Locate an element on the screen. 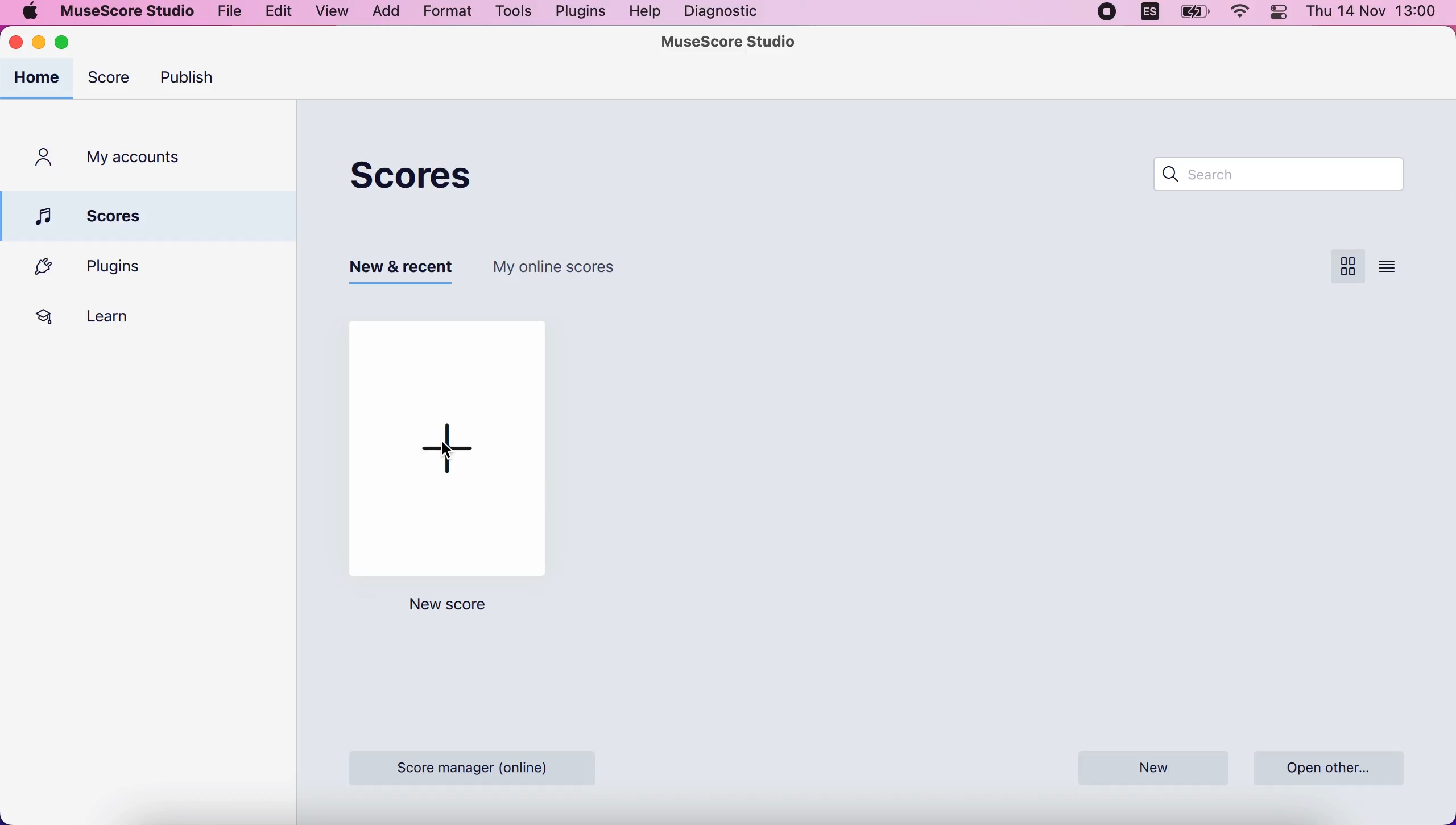 The image size is (1456, 825). score manager (online) is located at coordinates (473, 766).